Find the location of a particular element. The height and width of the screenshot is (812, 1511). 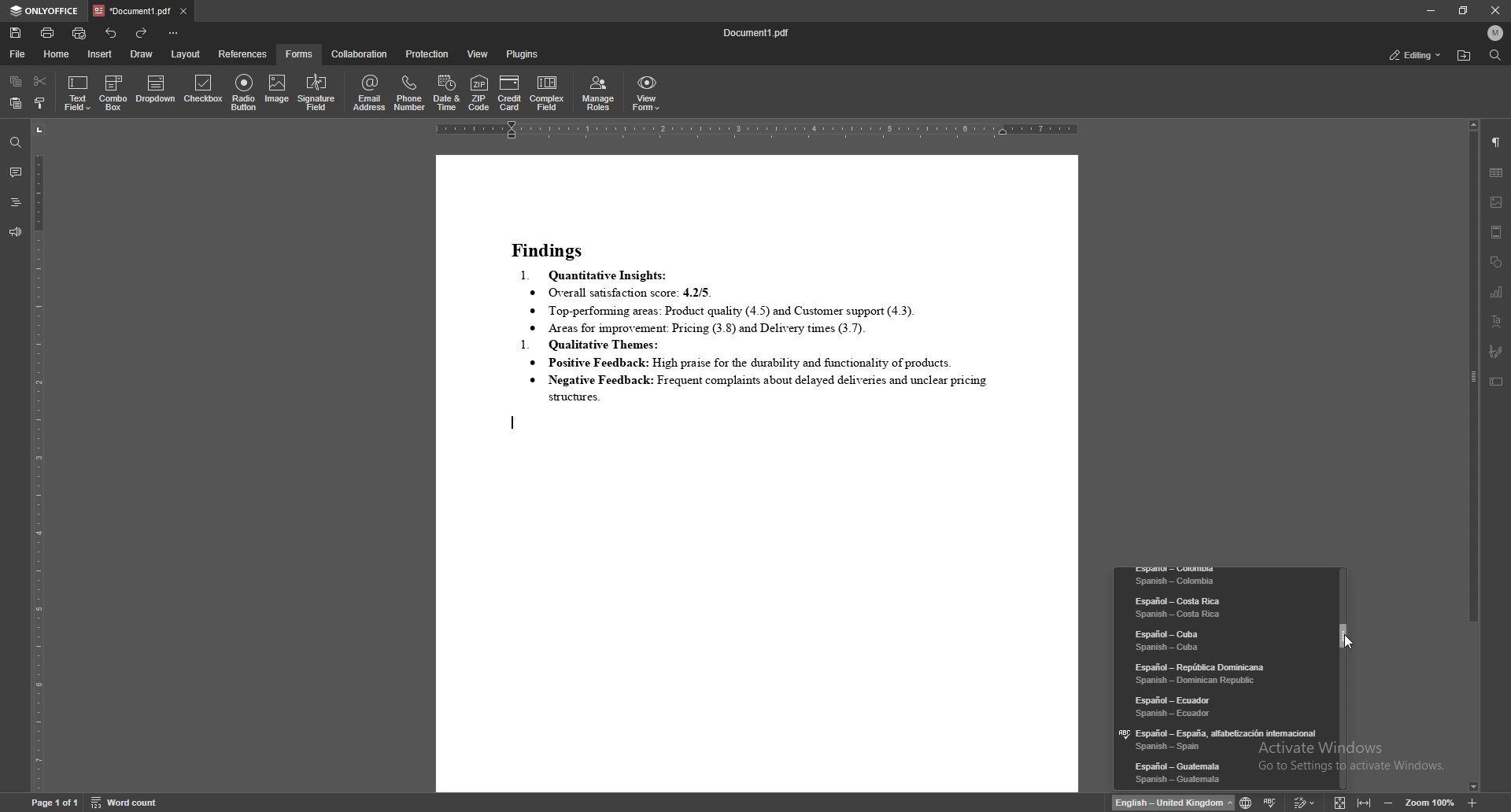

print is located at coordinates (48, 32).